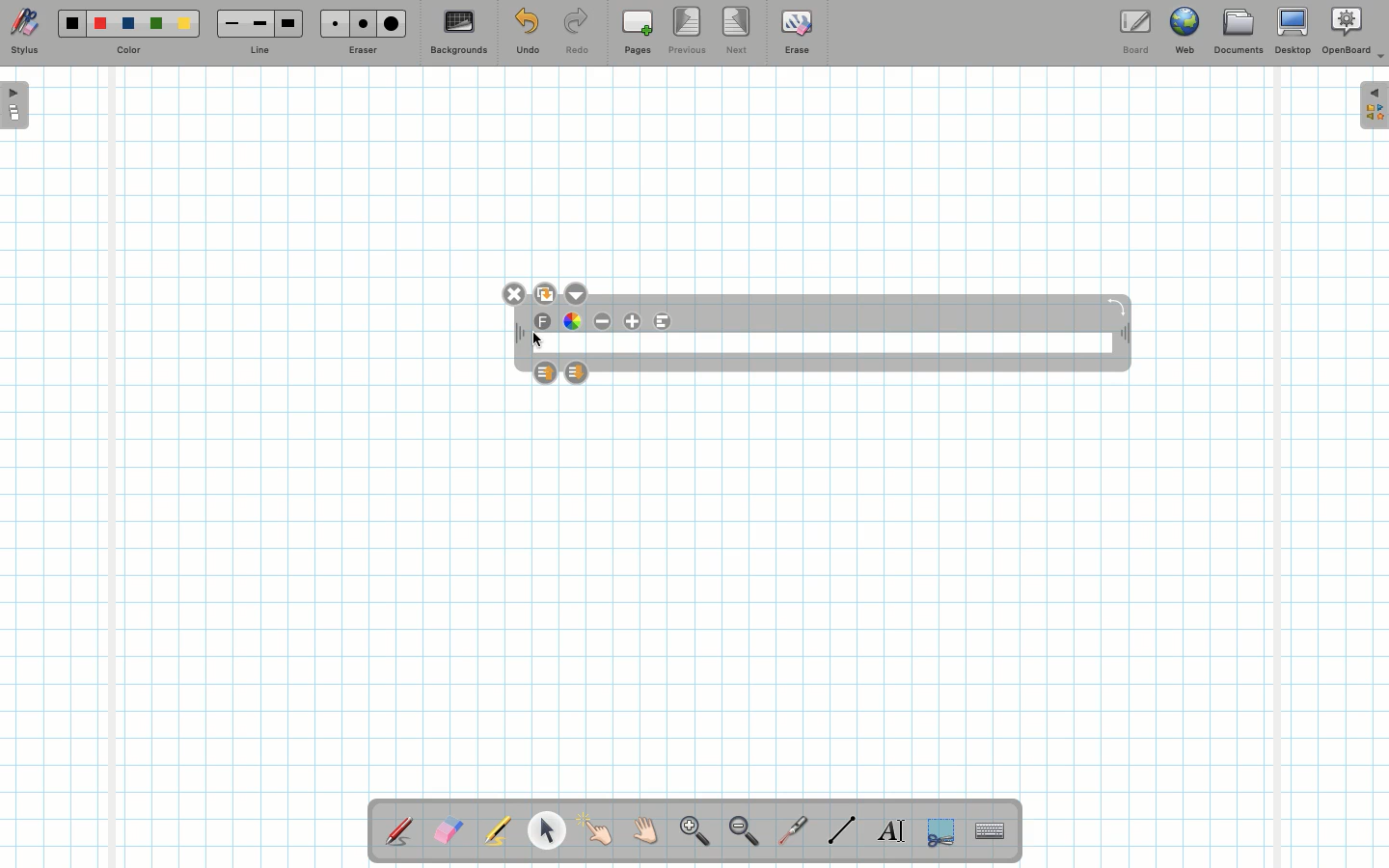 The width and height of the screenshot is (1389, 868). Describe the element at coordinates (991, 826) in the screenshot. I see `Text input` at that location.